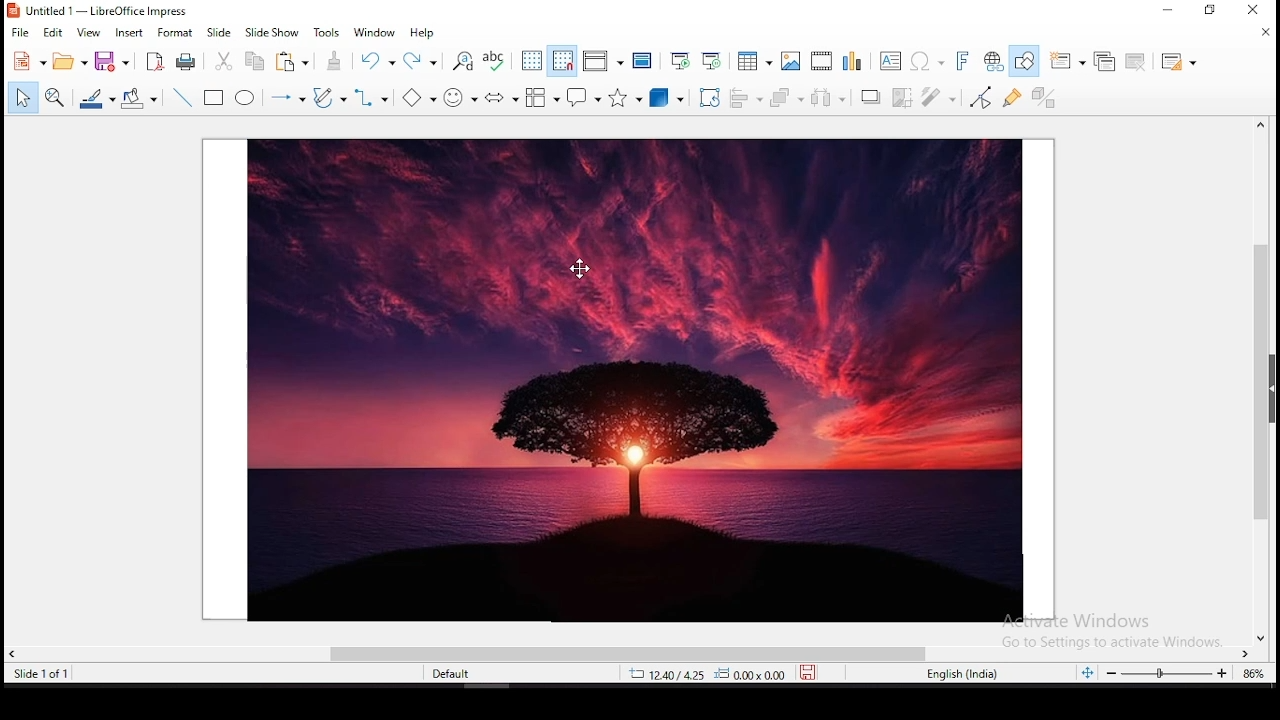 Image resolution: width=1280 pixels, height=720 pixels. What do you see at coordinates (334, 60) in the screenshot?
I see `clone formatting` at bounding box center [334, 60].